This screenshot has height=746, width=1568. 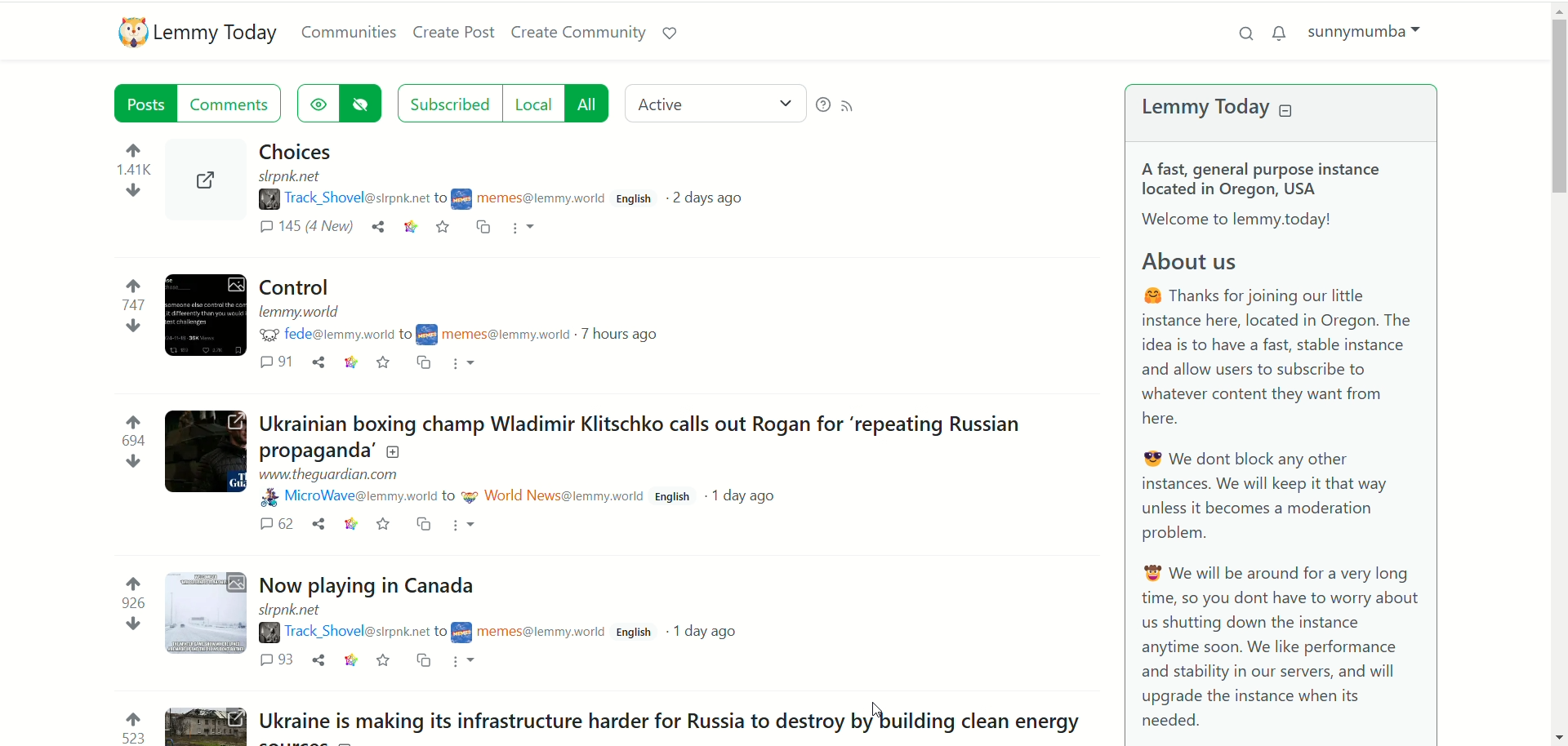 What do you see at coordinates (1243, 109) in the screenshot?
I see `lemmy today` at bounding box center [1243, 109].